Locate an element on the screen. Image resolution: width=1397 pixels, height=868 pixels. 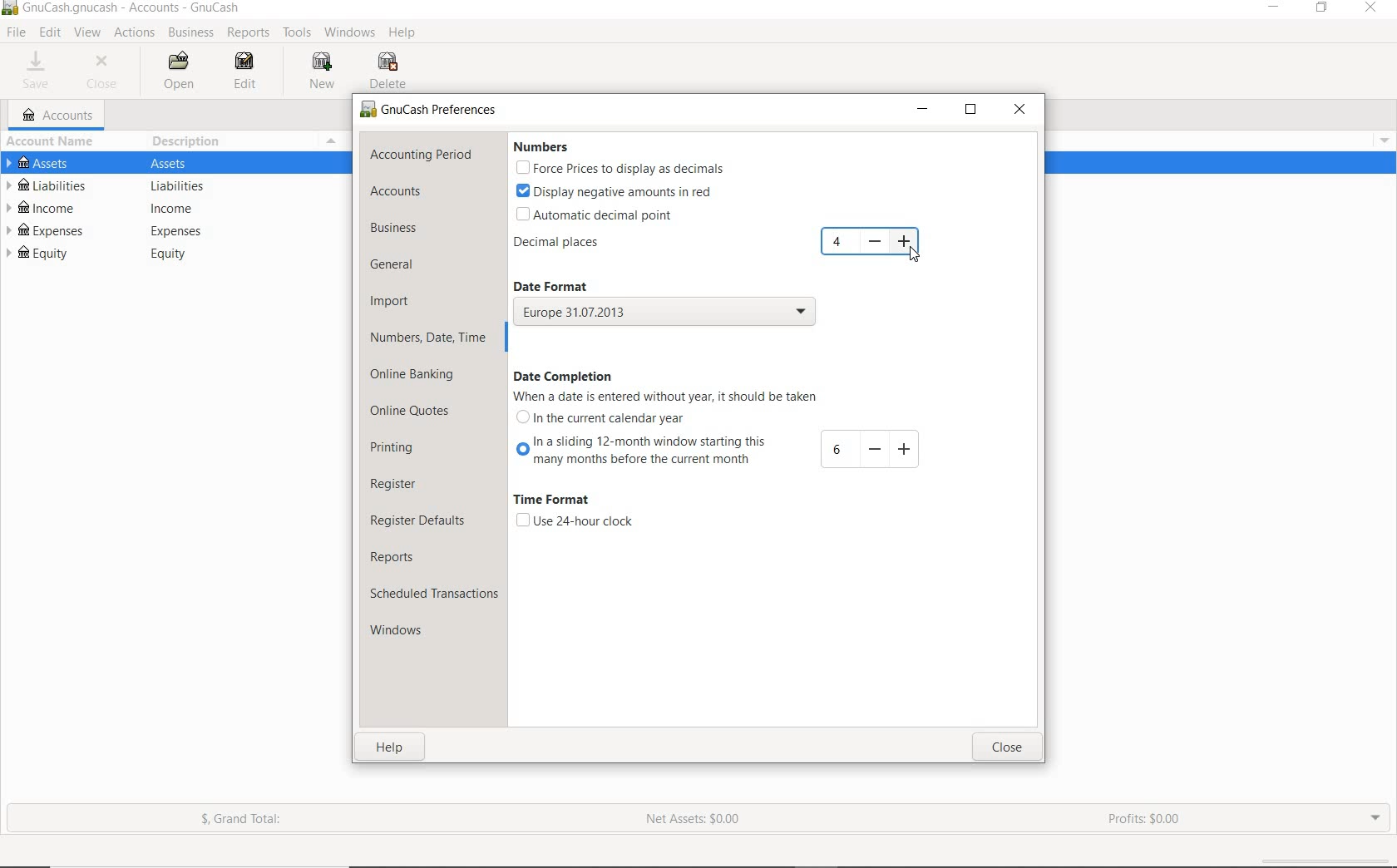
GnuCash Preferences is located at coordinates (430, 111).